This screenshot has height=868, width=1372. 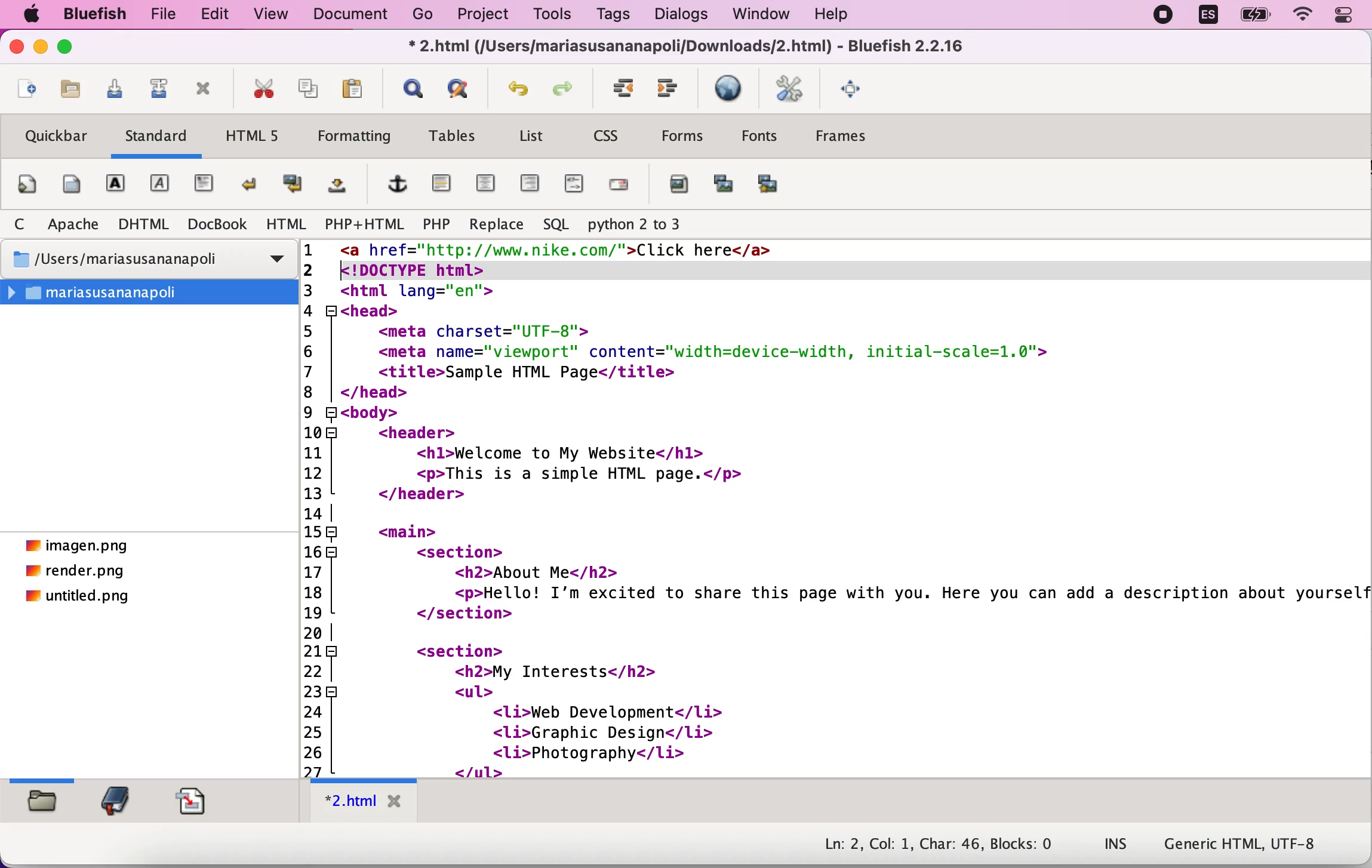 What do you see at coordinates (686, 136) in the screenshot?
I see `forms` at bounding box center [686, 136].